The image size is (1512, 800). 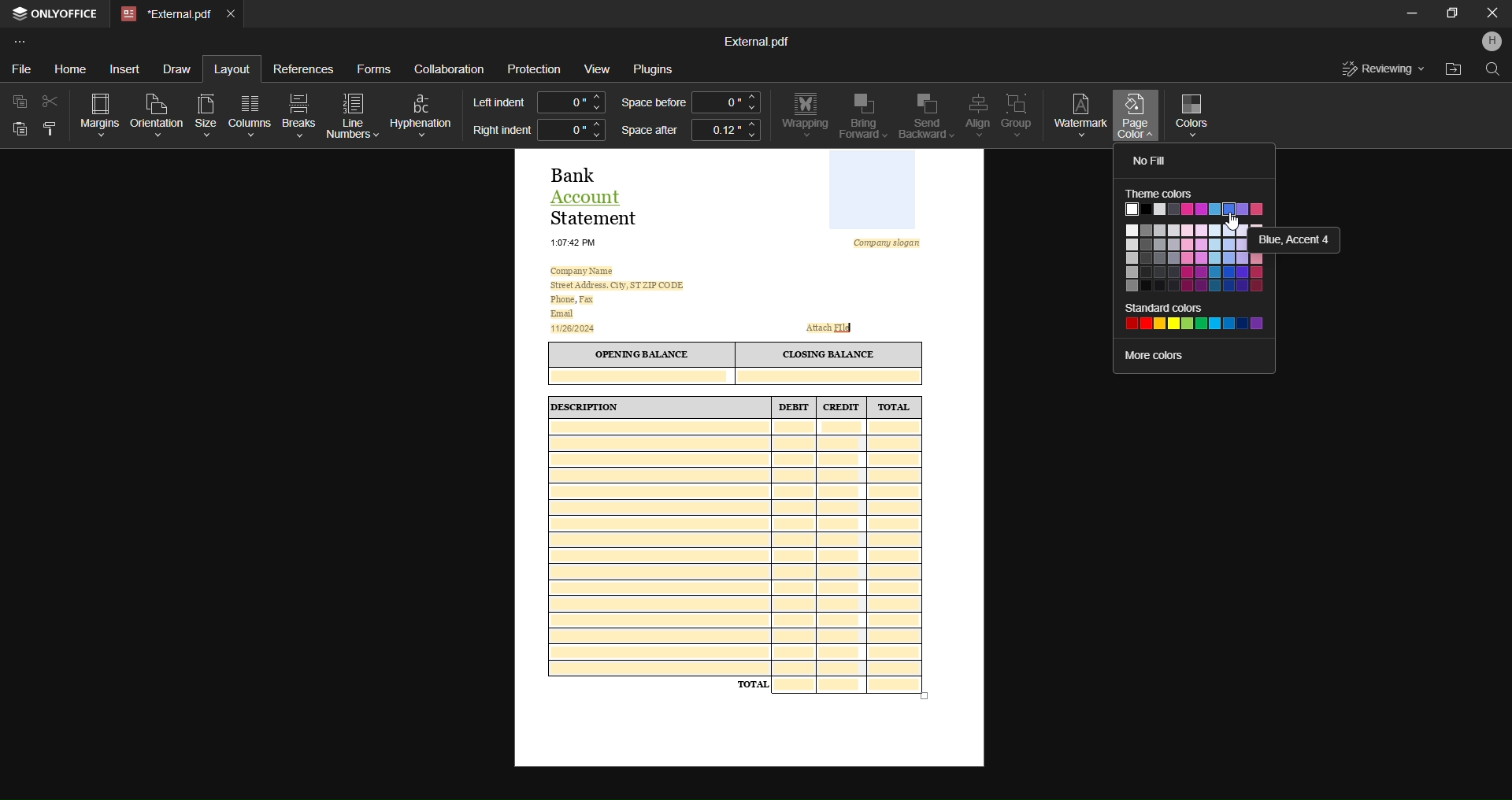 What do you see at coordinates (1153, 161) in the screenshot?
I see `No Fill` at bounding box center [1153, 161].